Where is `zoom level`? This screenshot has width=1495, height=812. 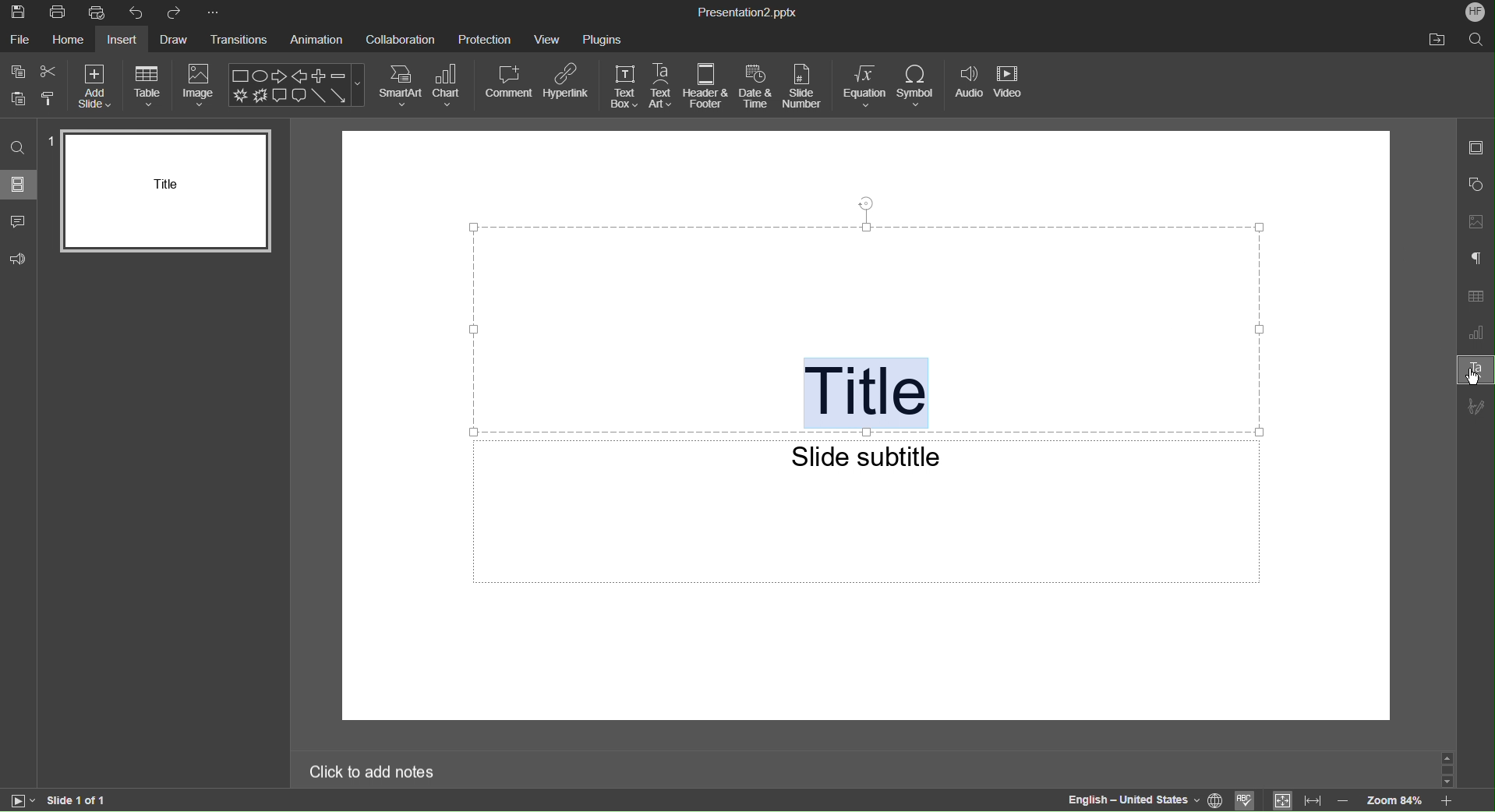 zoom level is located at coordinates (1396, 800).